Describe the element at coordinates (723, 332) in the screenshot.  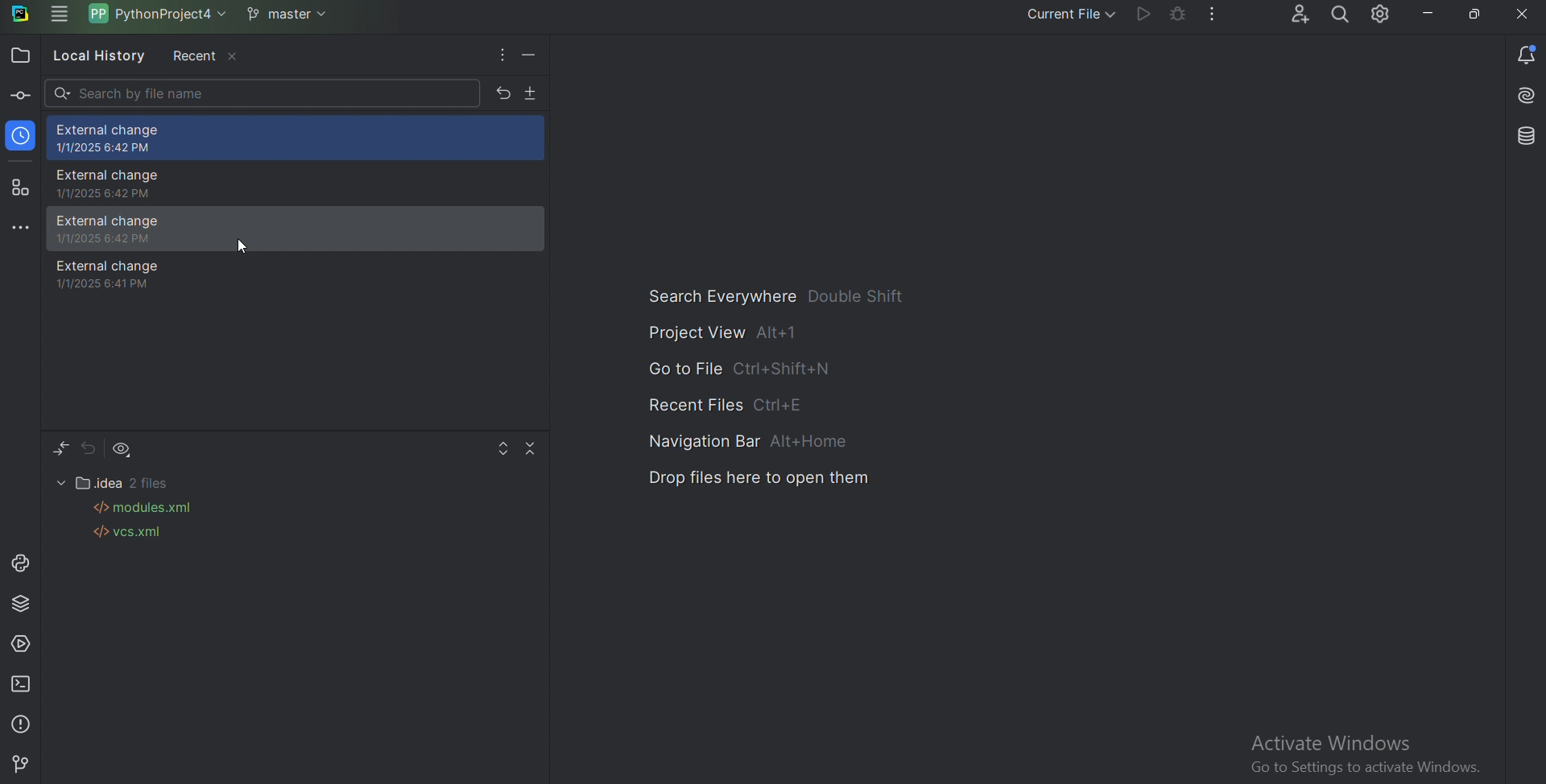
I see `Project view` at that location.